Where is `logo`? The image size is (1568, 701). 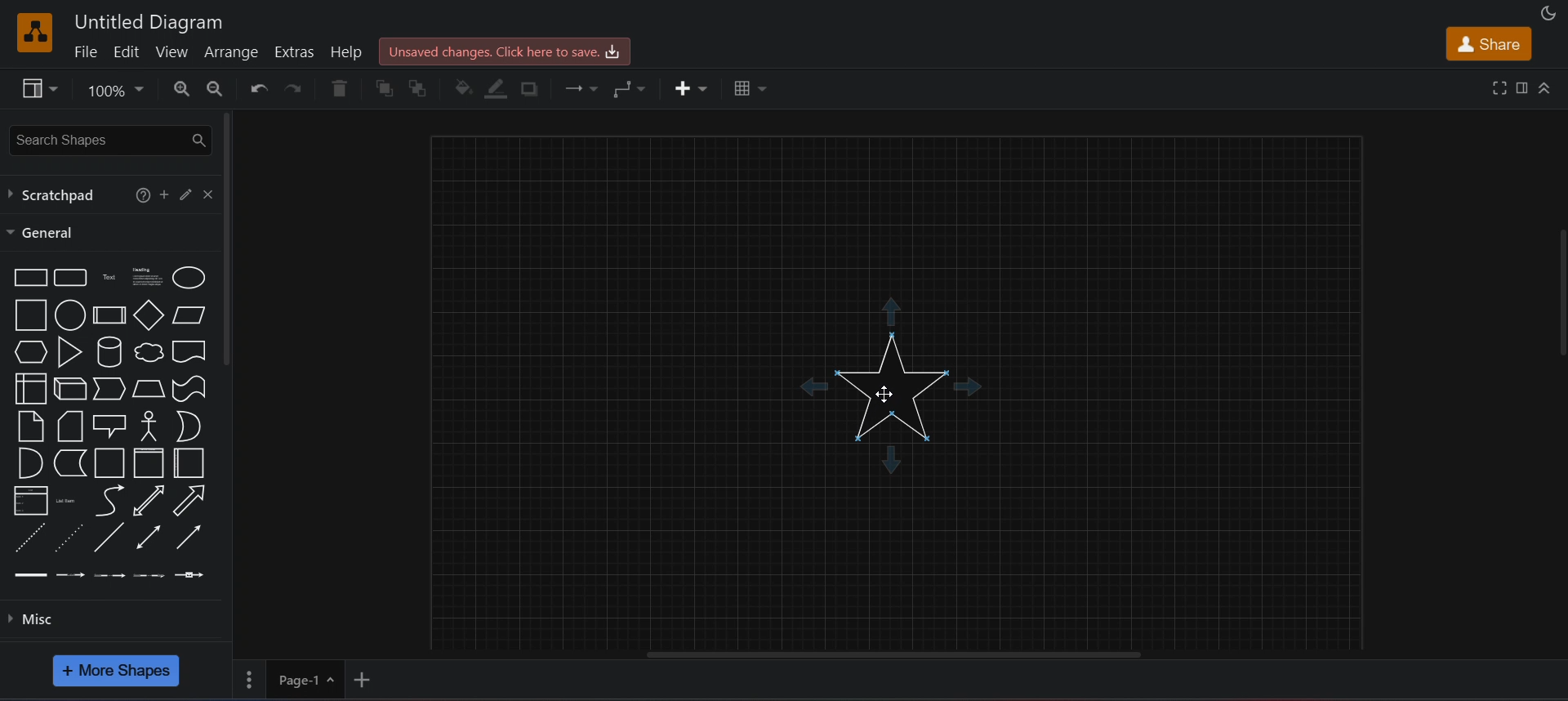
logo is located at coordinates (34, 30).